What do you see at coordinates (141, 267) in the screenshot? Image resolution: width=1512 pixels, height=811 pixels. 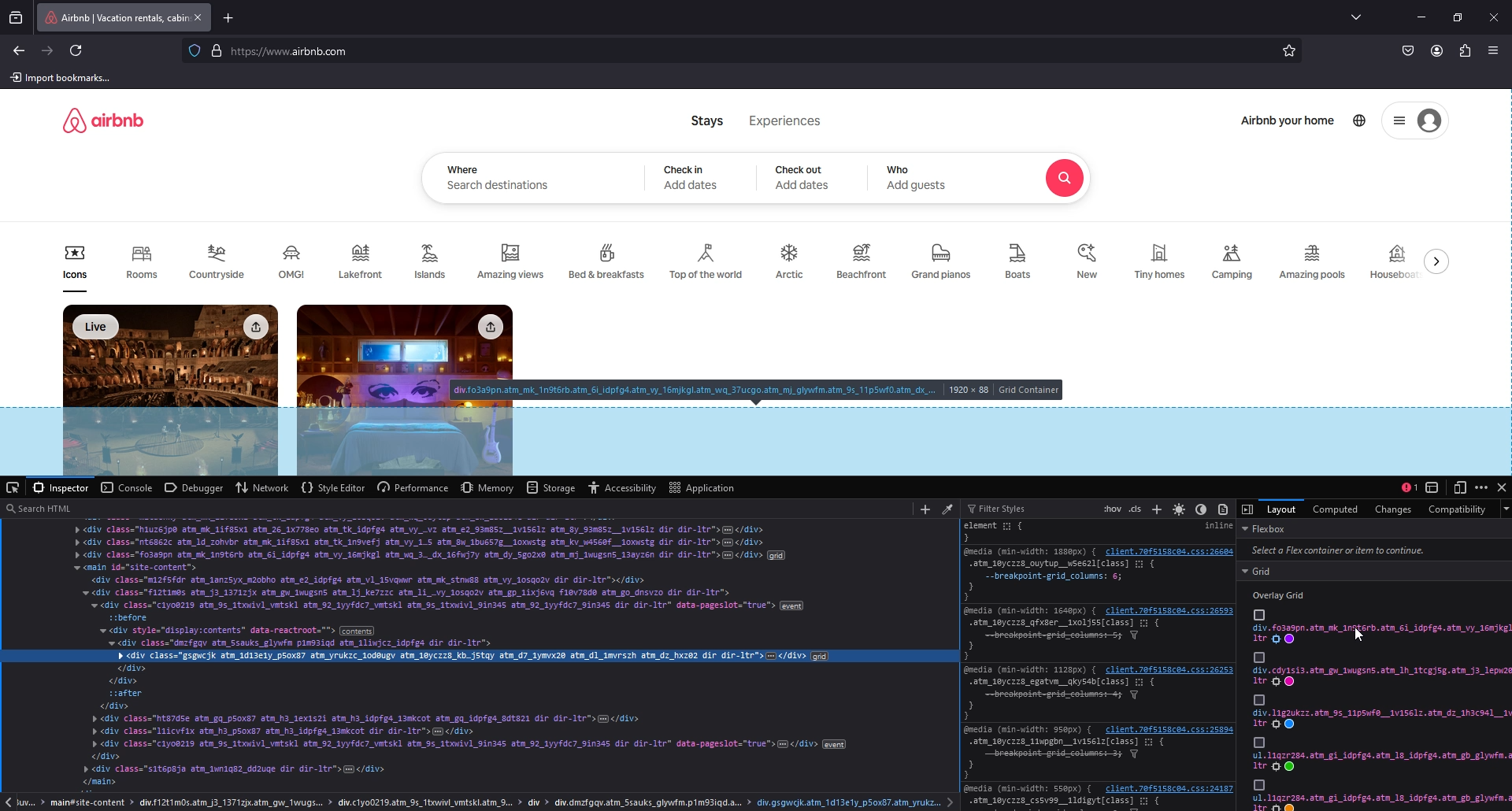 I see `Rooms` at bounding box center [141, 267].